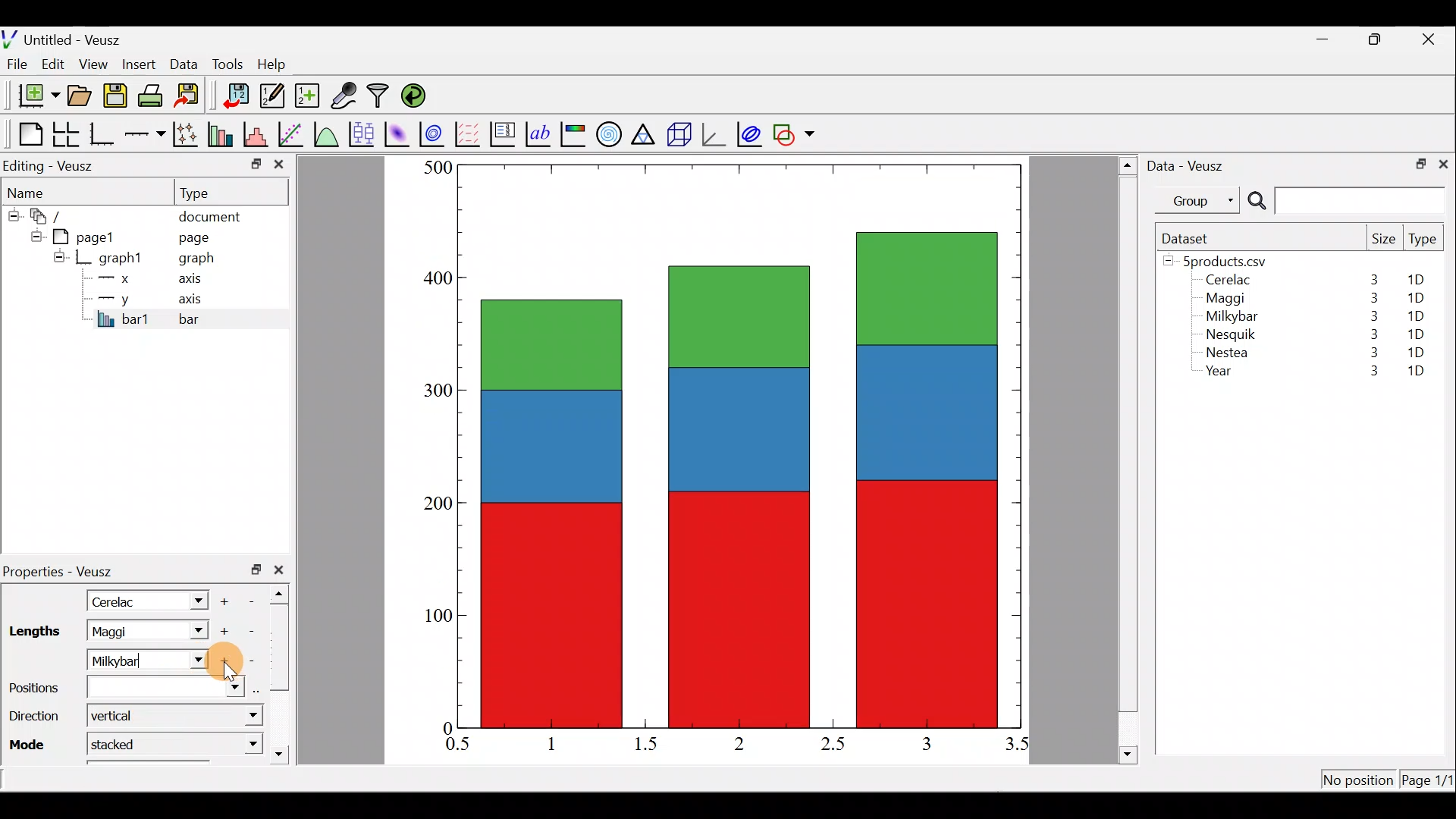  What do you see at coordinates (67, 37) in the screenshot?
I see `Untitled - Veusz` at bounding box center [67, 37].